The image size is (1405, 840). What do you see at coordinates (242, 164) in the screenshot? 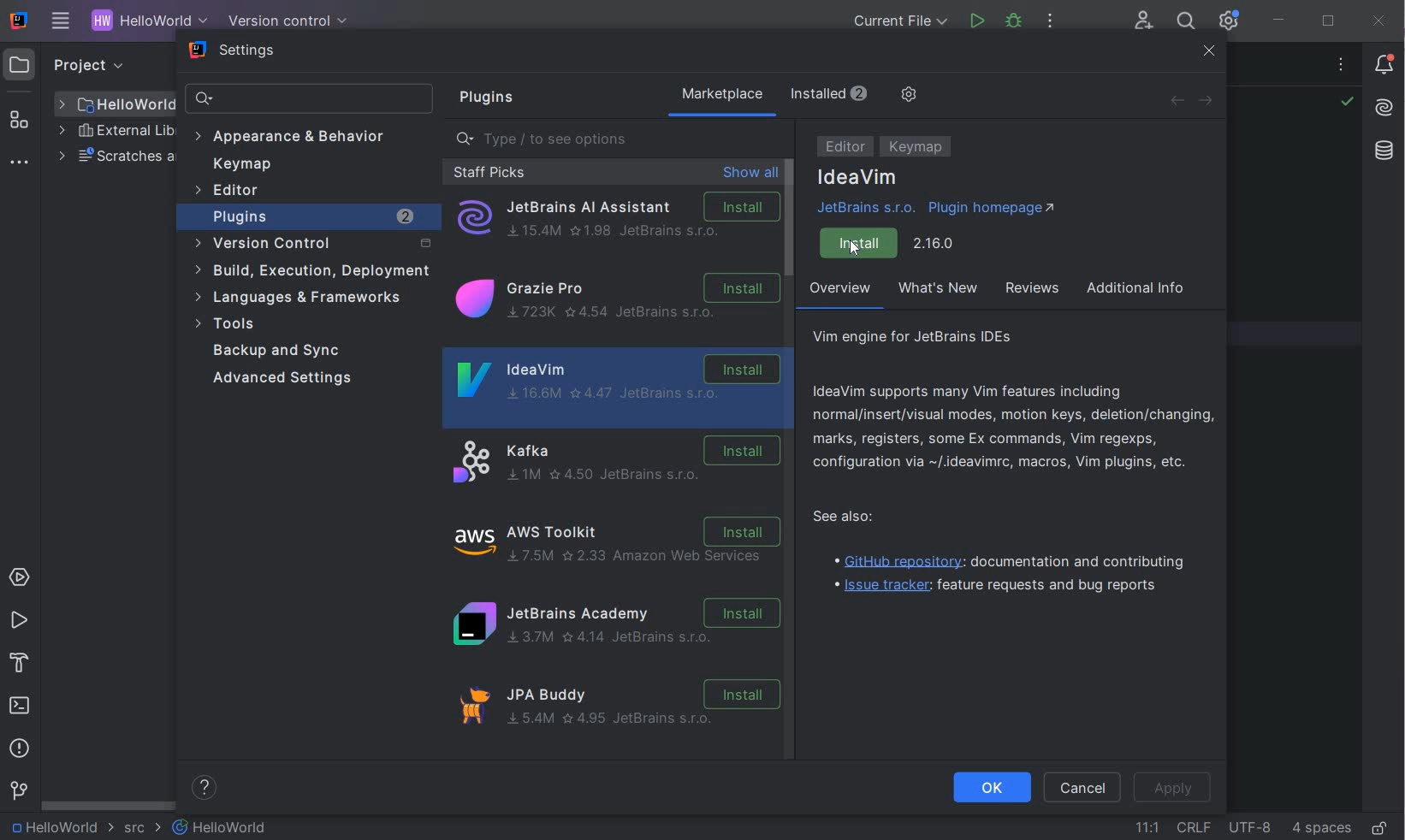
I see `keymap` at bounding box center [242, 164].